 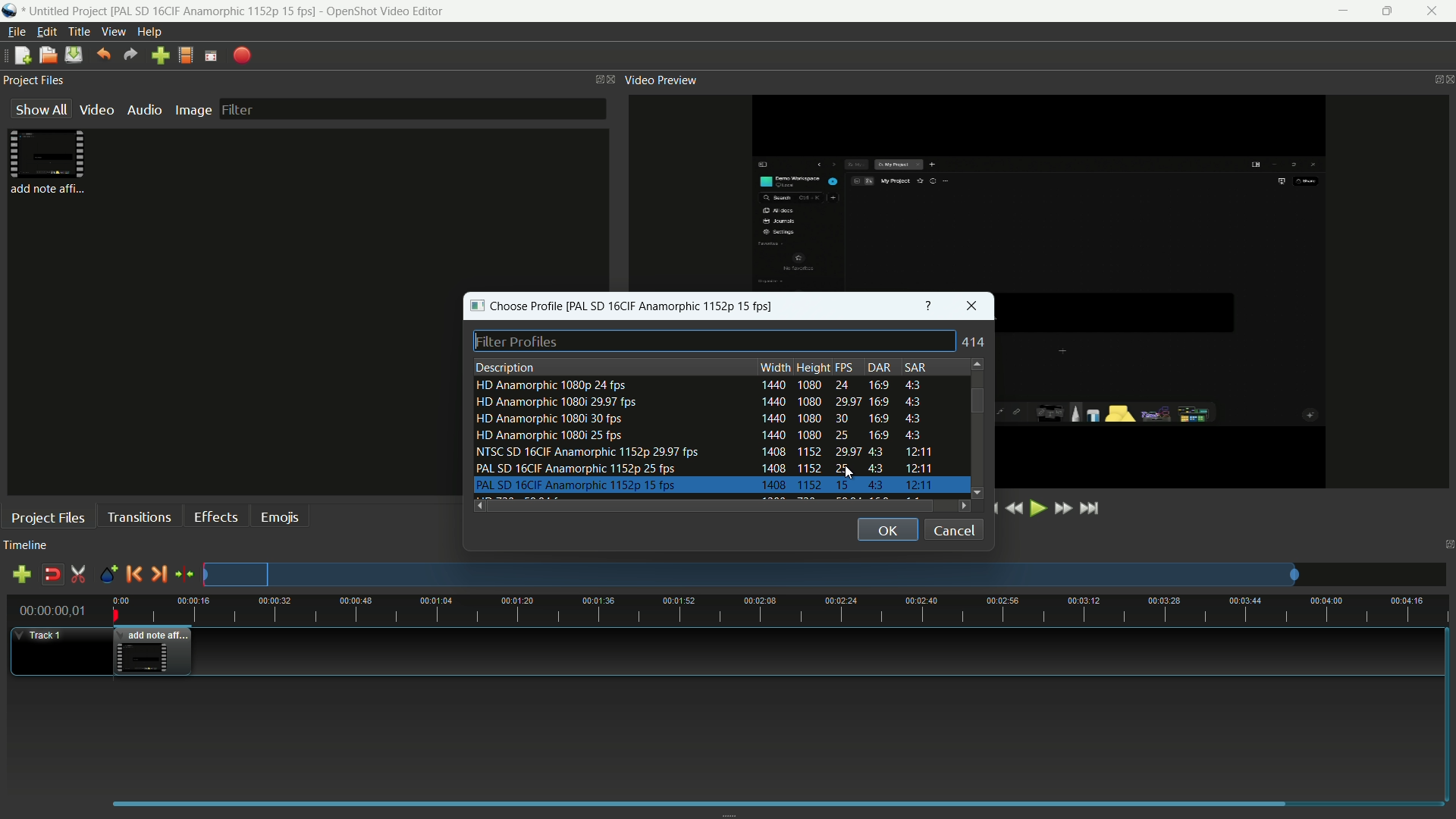 What do you see at coordinates (1341, 11) in the screenshot?
I see `minimize` at bounding box center [1341, 11].